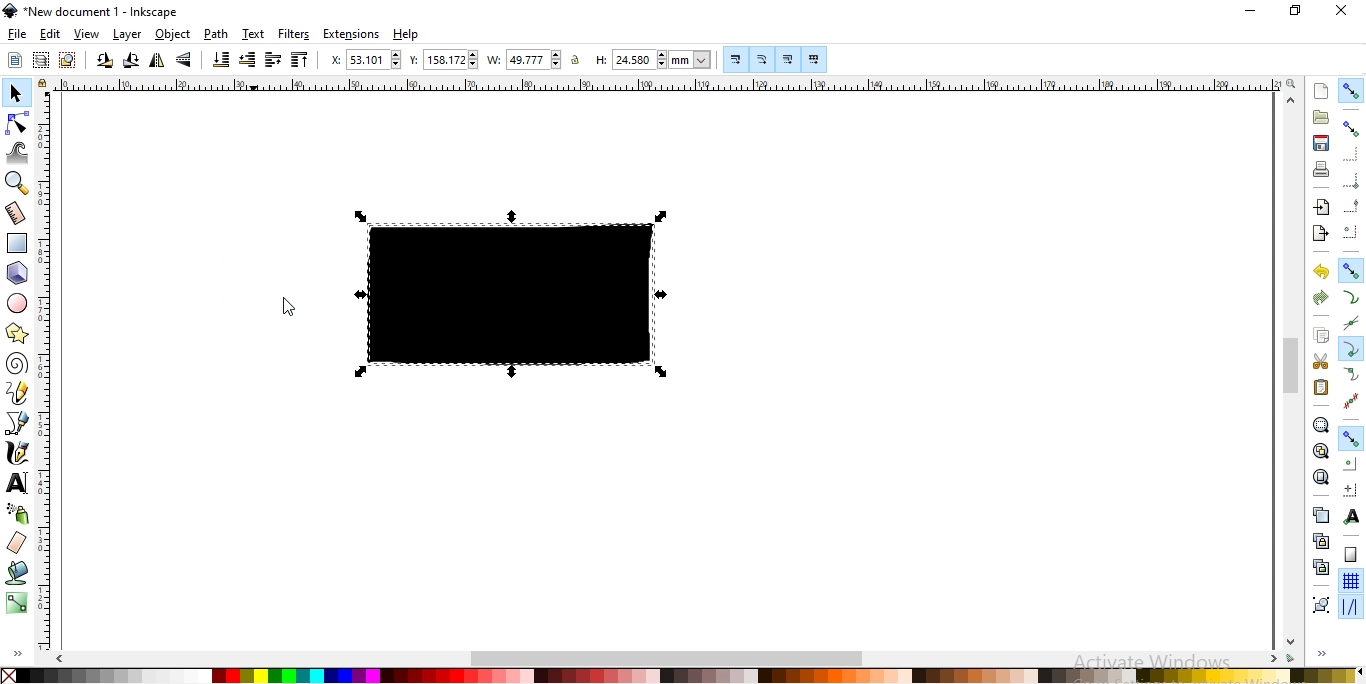 This screenshot has height=684, width=1366. I want to click on  color, so click(685, 675).